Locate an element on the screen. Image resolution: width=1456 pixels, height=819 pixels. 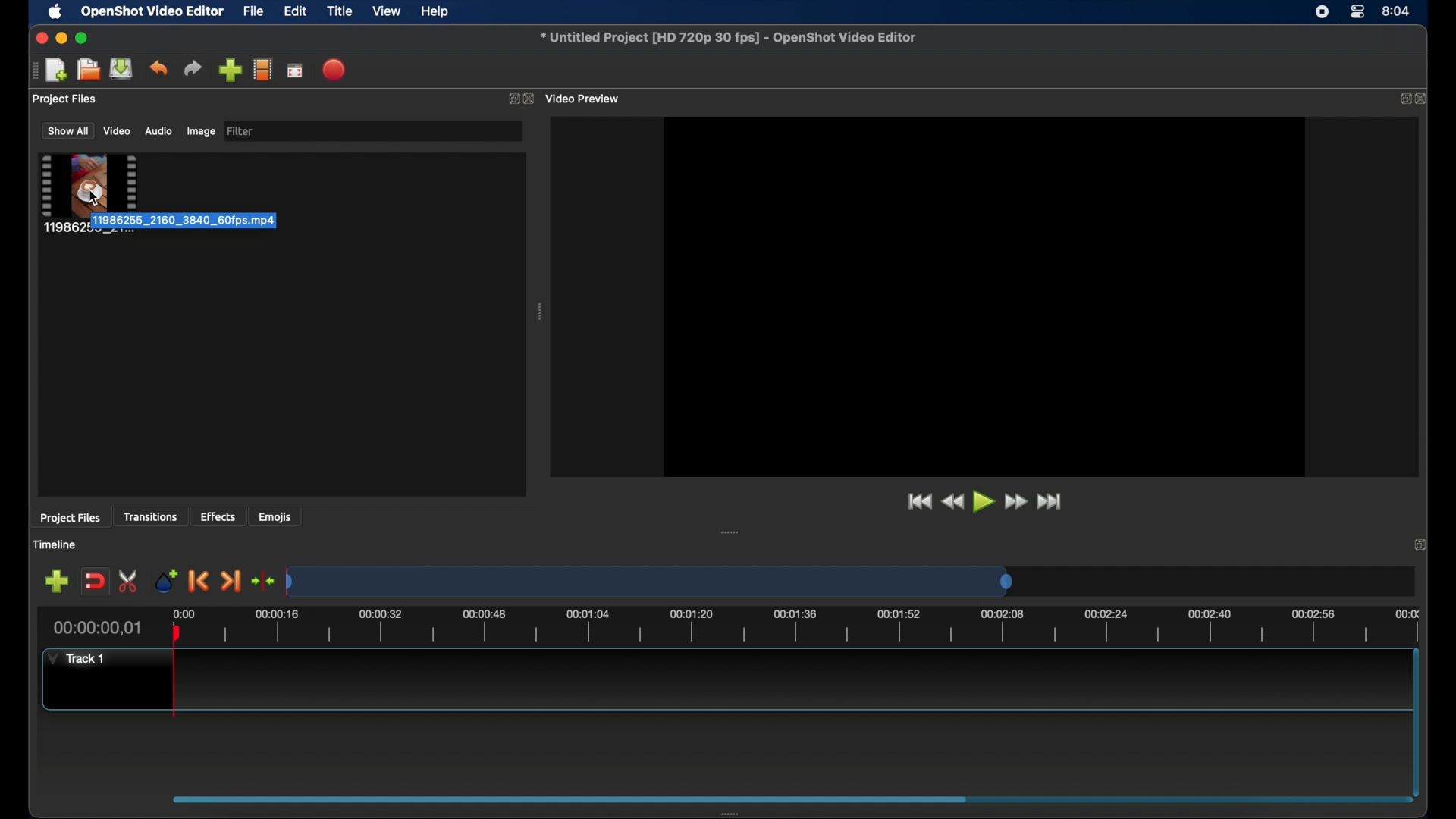
minimize is located at coordinates (61, 38).